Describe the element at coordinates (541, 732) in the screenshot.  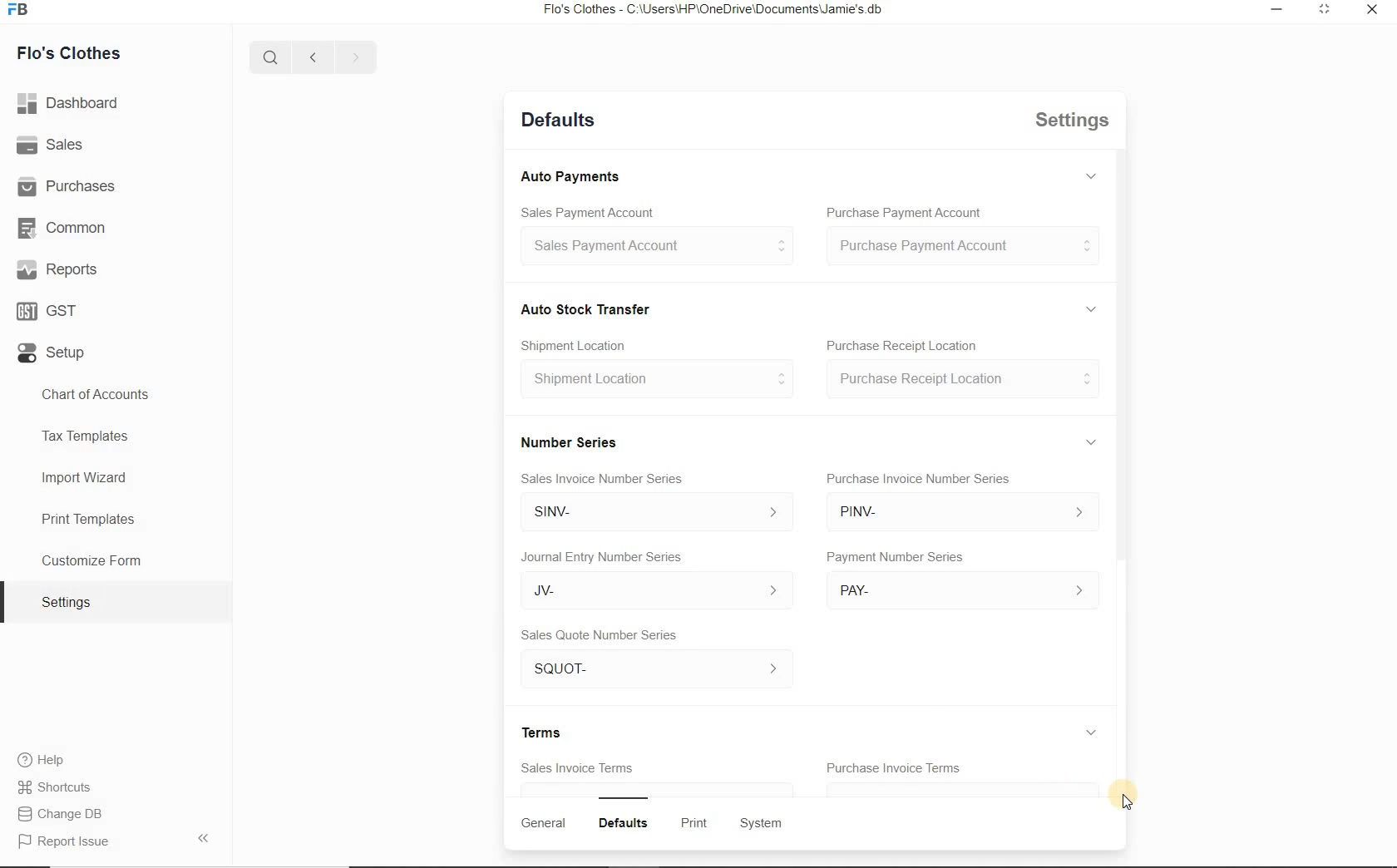
I see `Terms` at that location.